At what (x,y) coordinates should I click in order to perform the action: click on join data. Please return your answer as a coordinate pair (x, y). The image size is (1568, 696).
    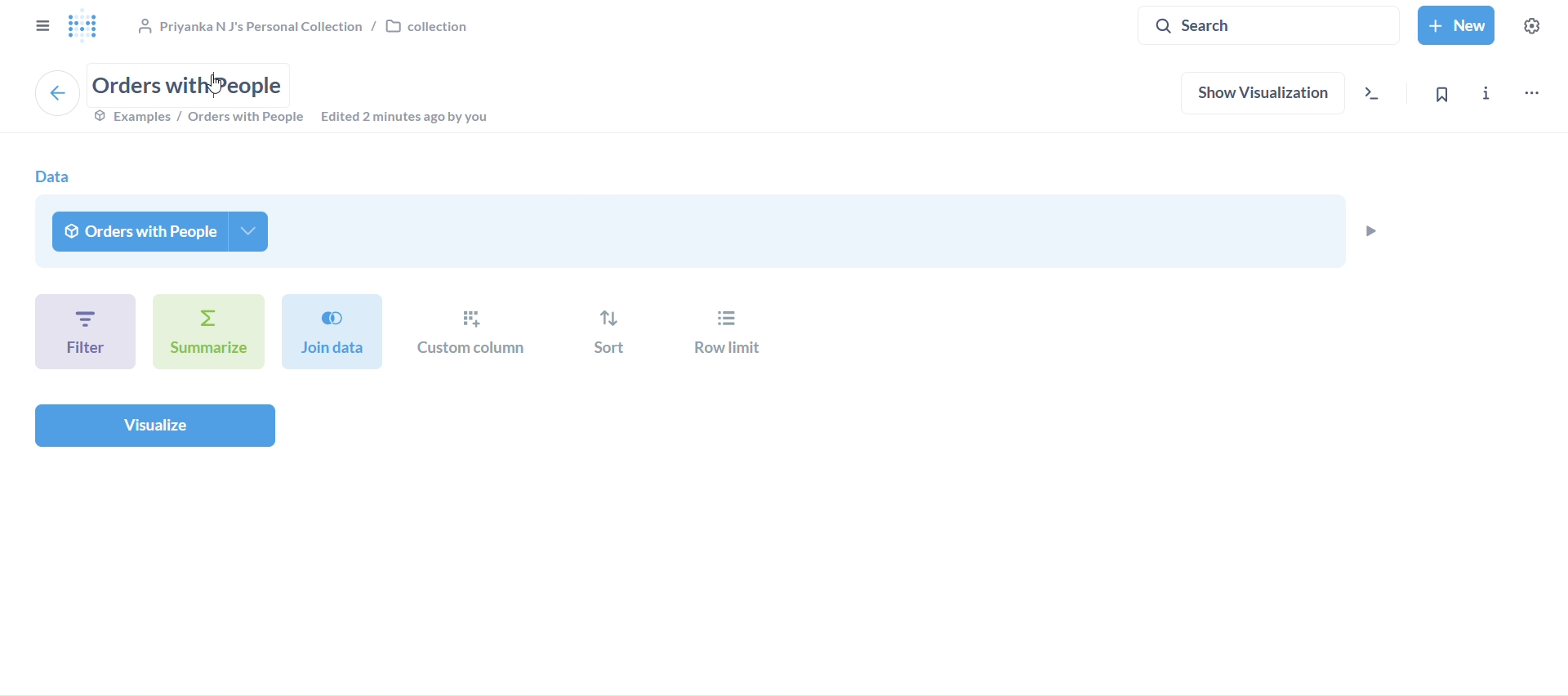
    Looking at the image, I should click on (333, 330).